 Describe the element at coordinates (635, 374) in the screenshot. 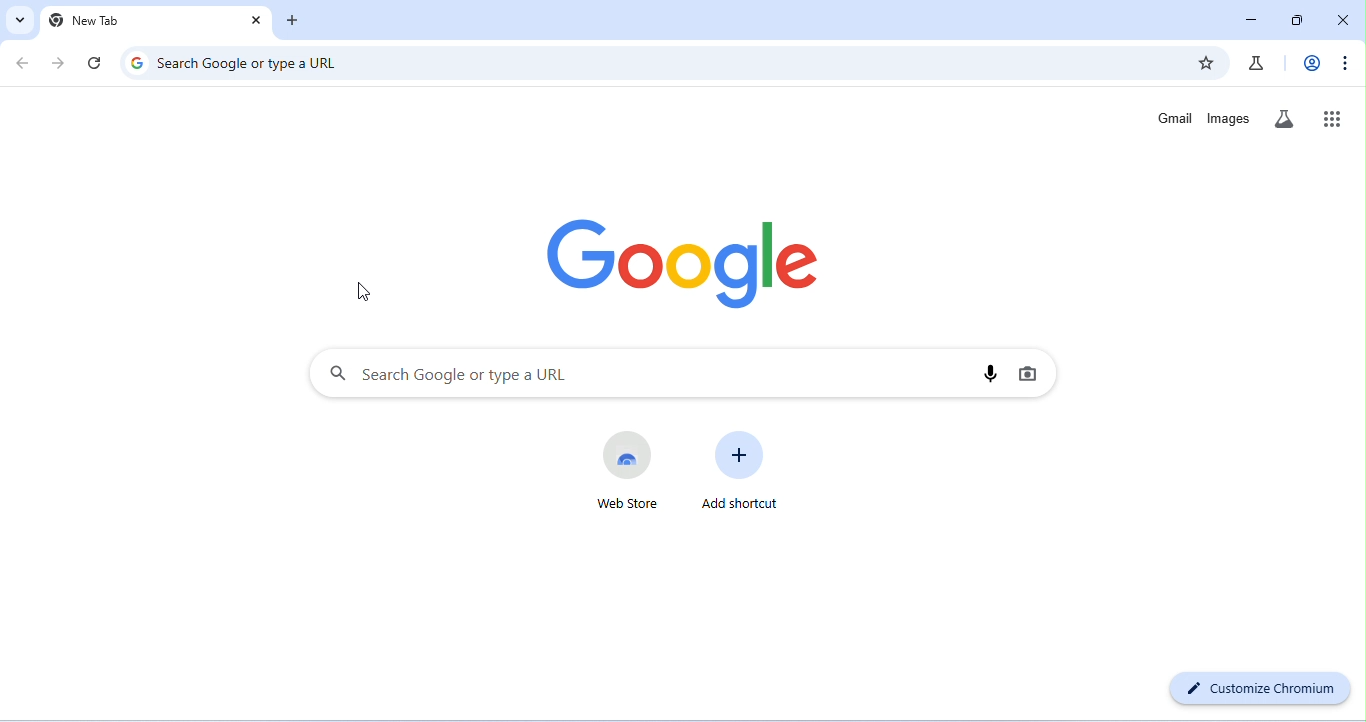

I see `search google or type a URL` at that location.